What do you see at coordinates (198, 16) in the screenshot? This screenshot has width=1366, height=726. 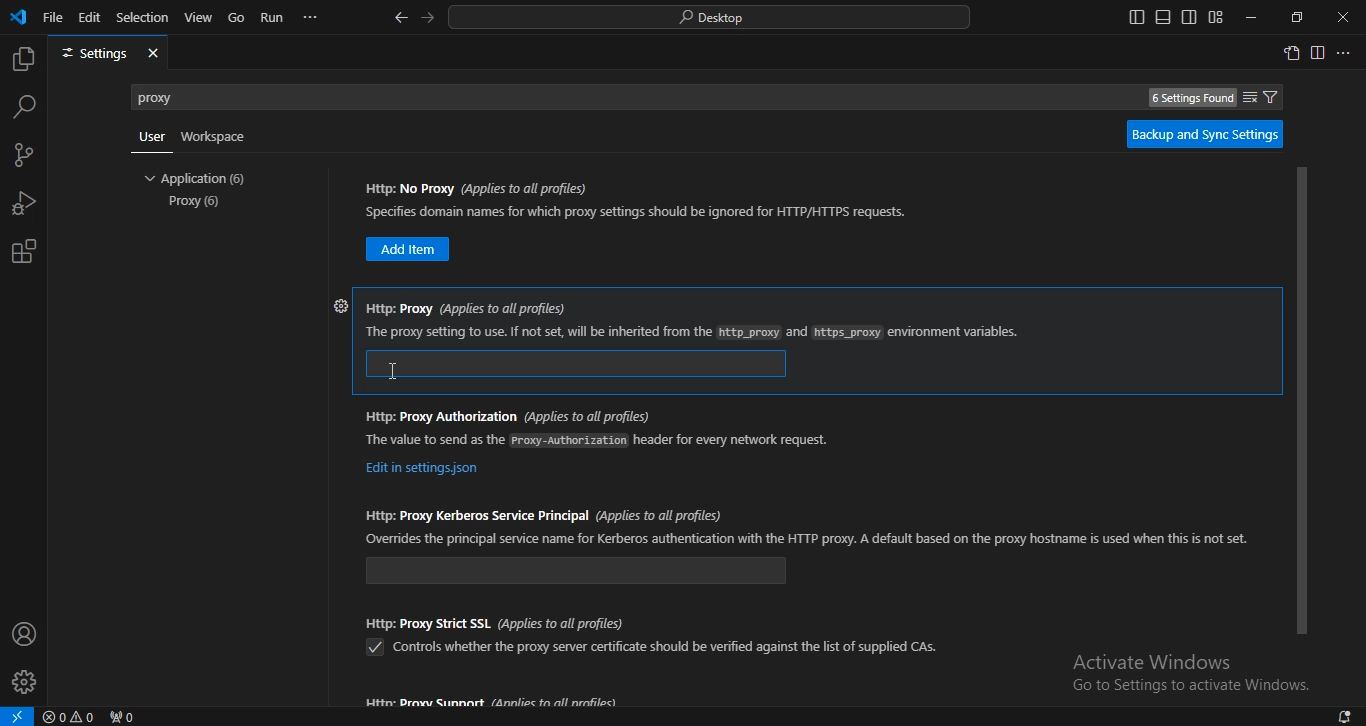 I see `view` at bounding box center [198, 16].